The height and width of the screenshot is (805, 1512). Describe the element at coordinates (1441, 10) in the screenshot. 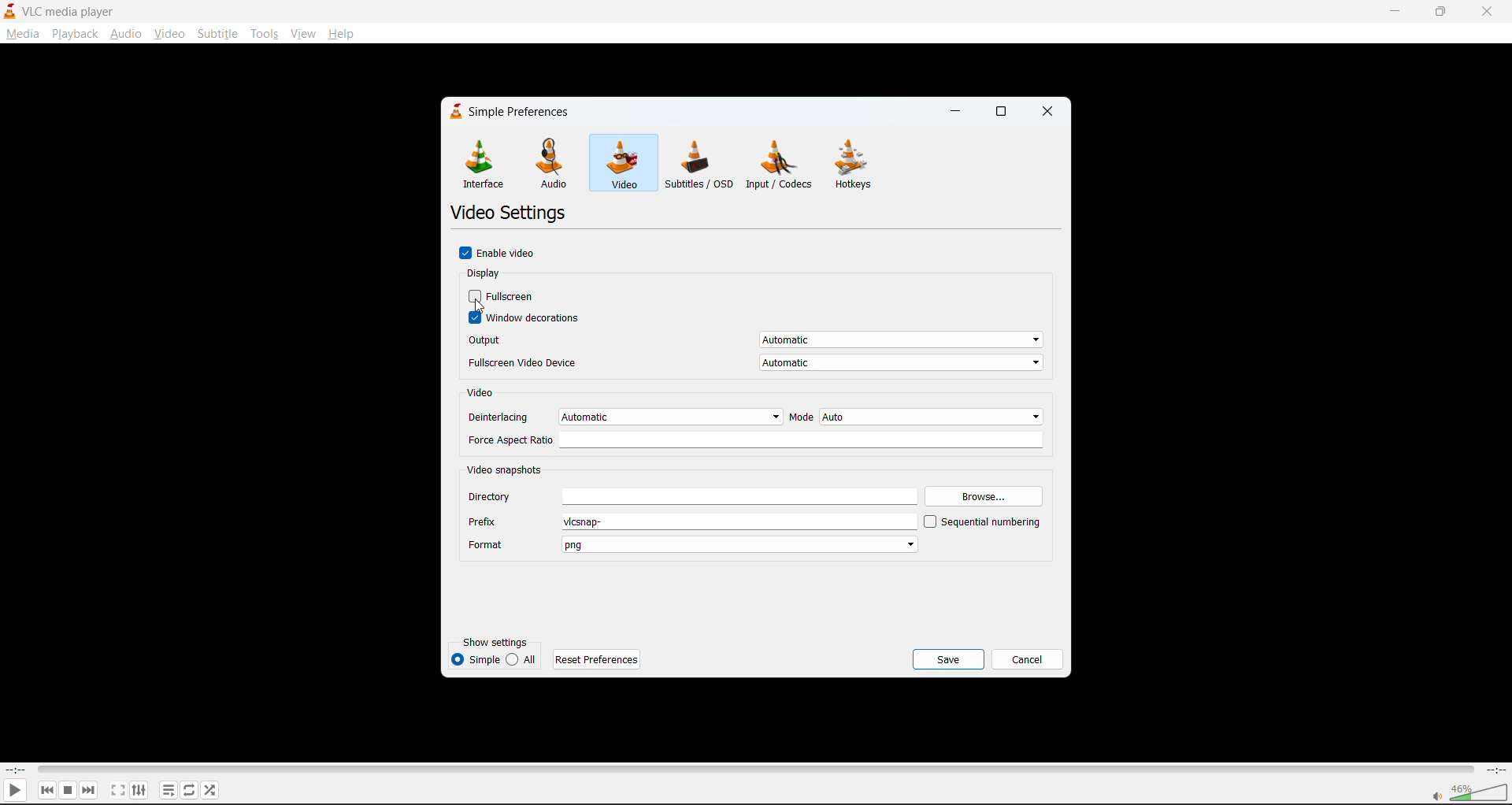

I see `maximize` at that location.